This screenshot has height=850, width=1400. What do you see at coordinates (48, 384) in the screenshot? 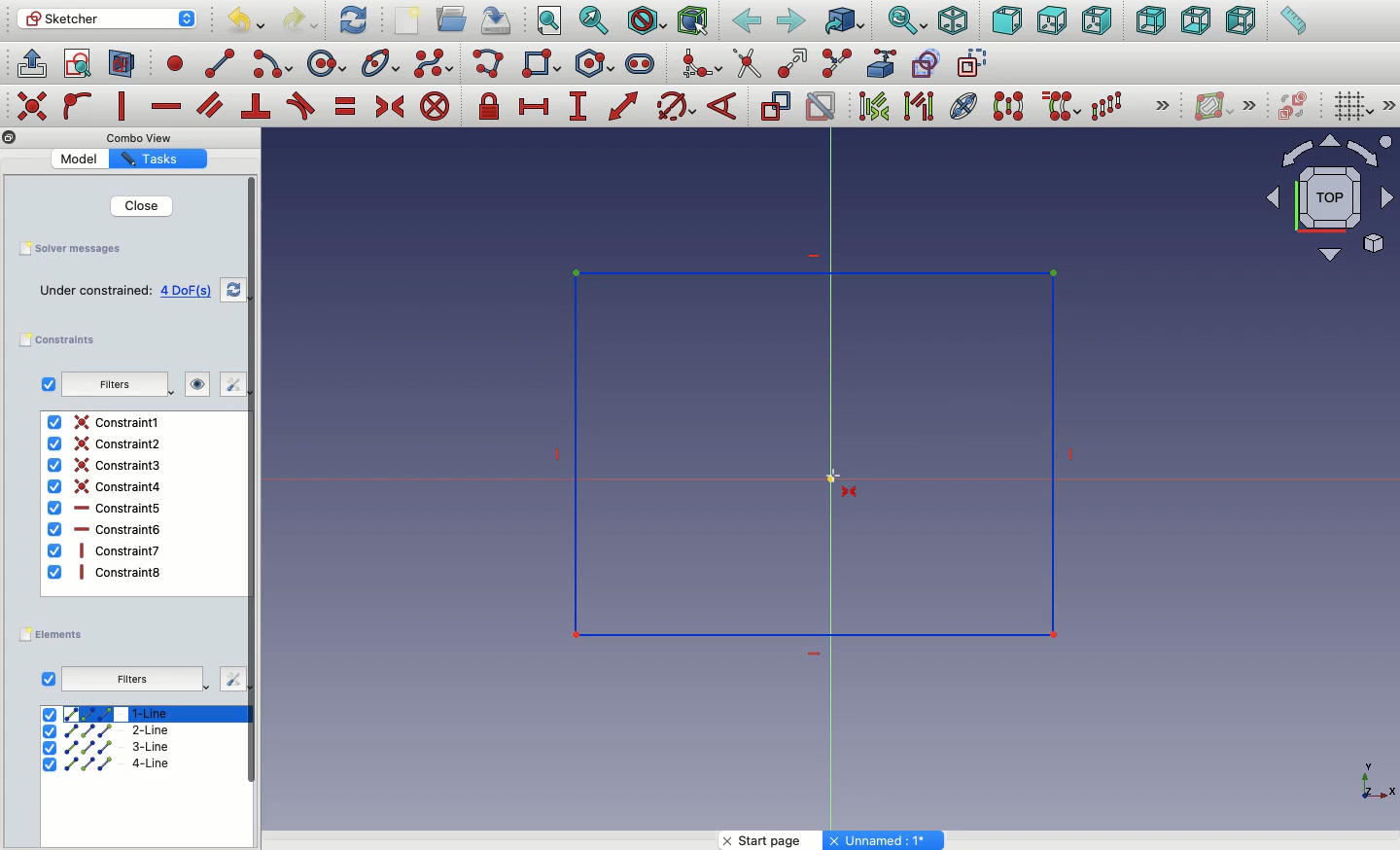
I see `checkbox` at bounding box center [48, 384].